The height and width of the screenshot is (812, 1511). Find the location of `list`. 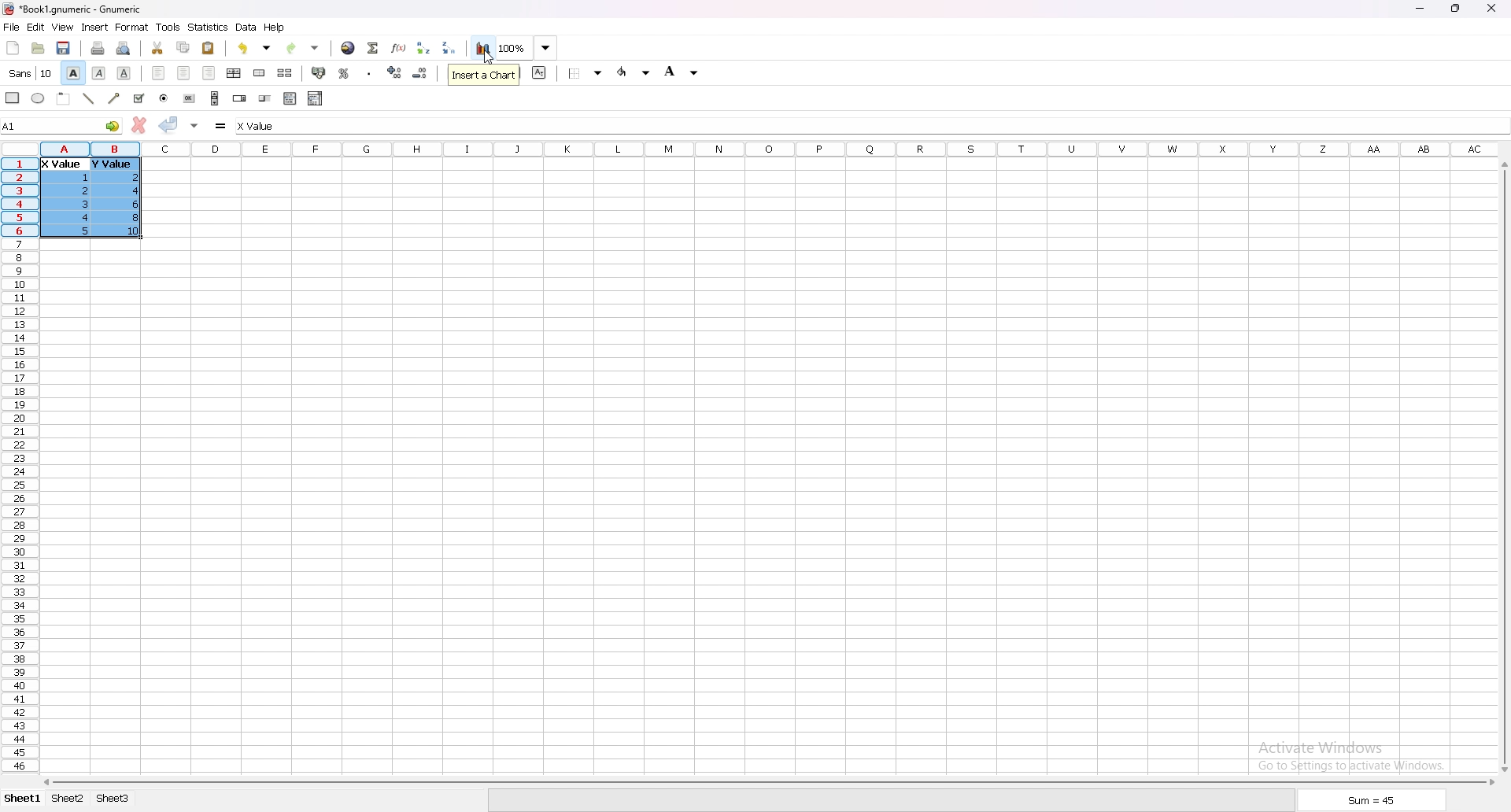

list is located at coordinates (290, 98).